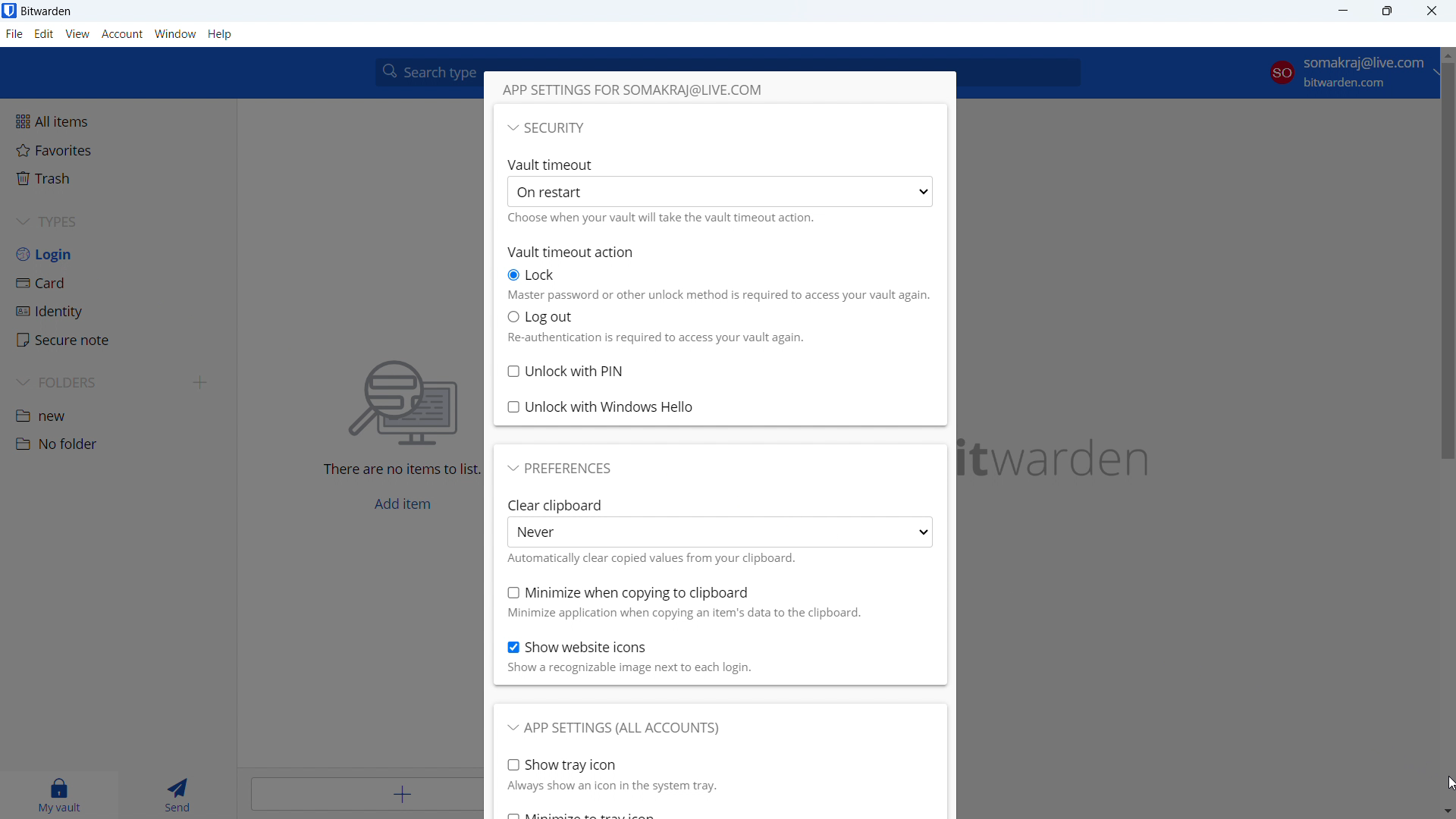 This screenshot has height=819, width=1456. I want to click on unlock with pin, so click(563, 372).